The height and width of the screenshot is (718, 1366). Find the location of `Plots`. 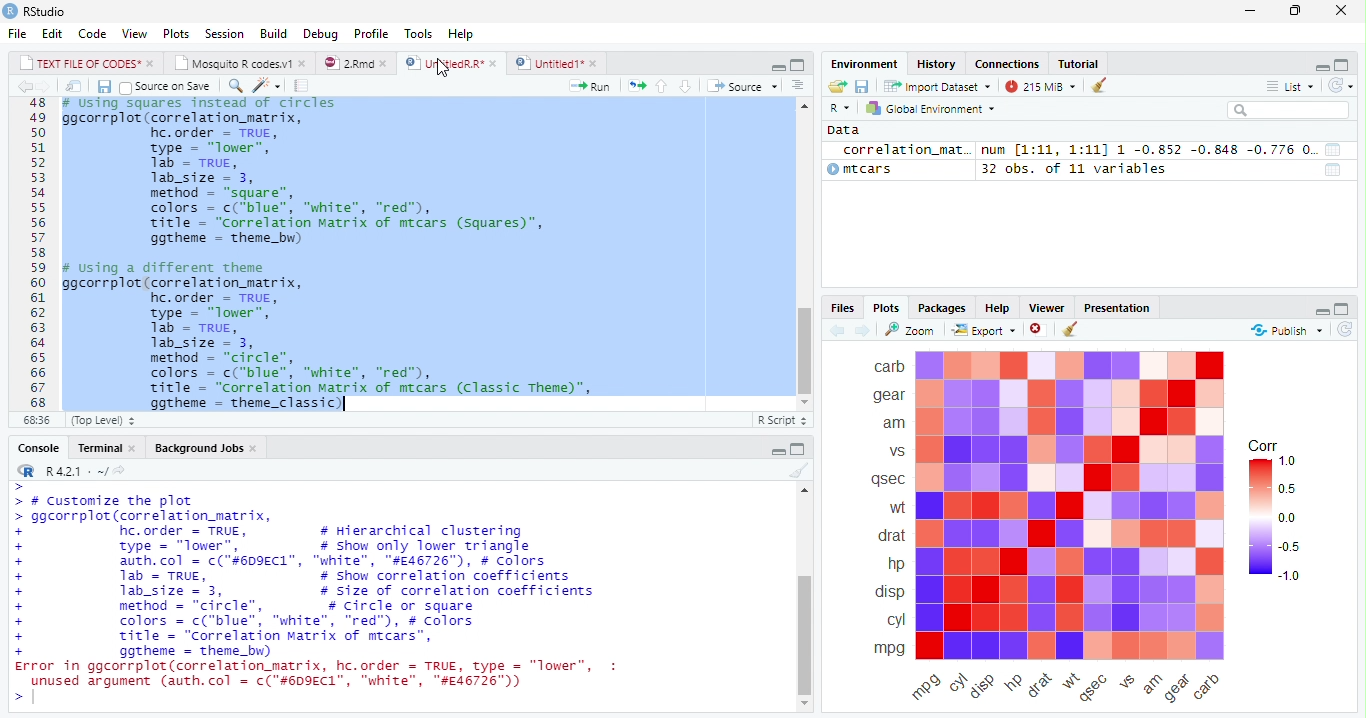

Plots is located at coordinates (176, 34).